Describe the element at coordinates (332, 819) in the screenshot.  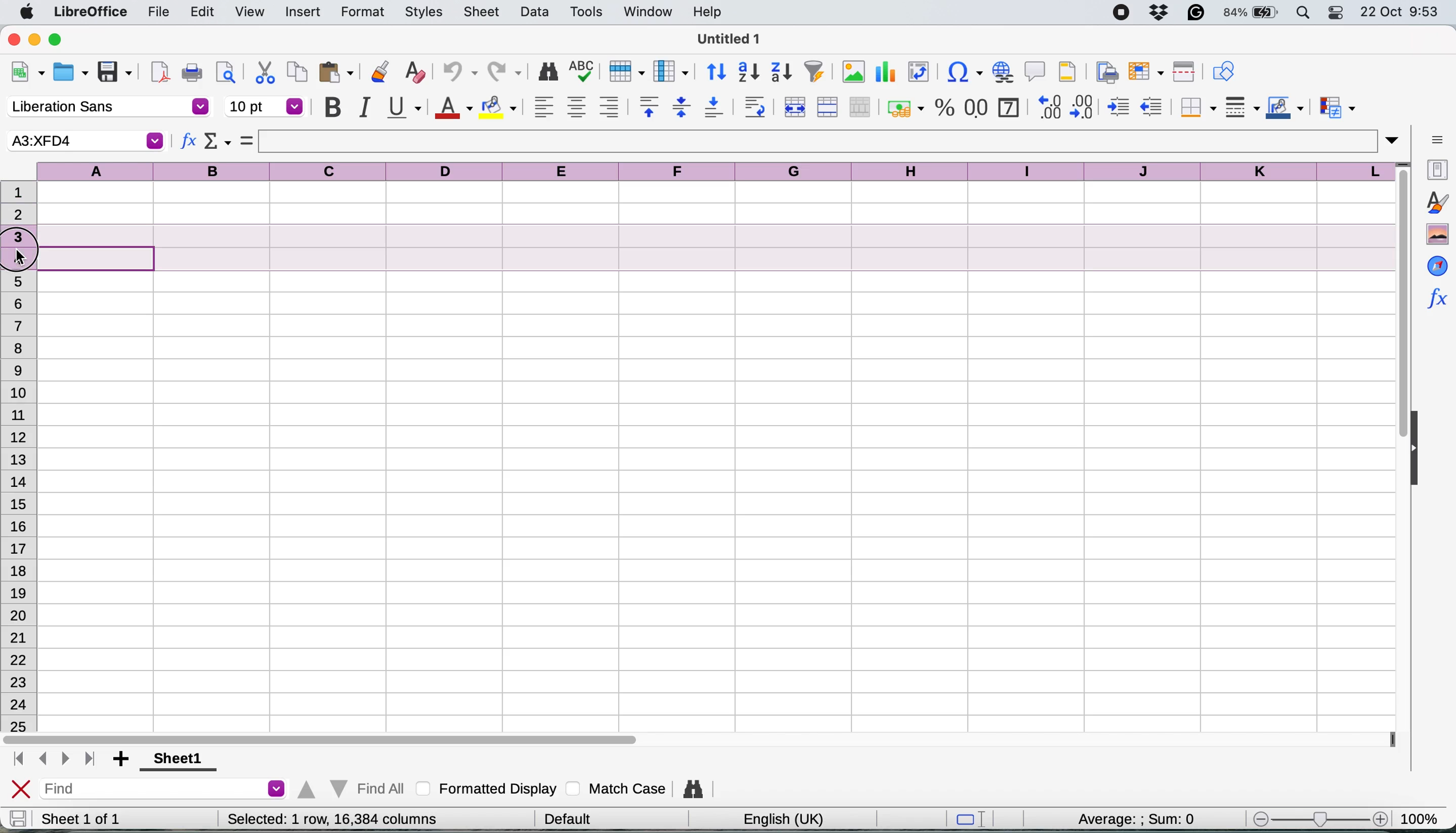
I see `Selected: 1 row, 16,384 columns` at that location.